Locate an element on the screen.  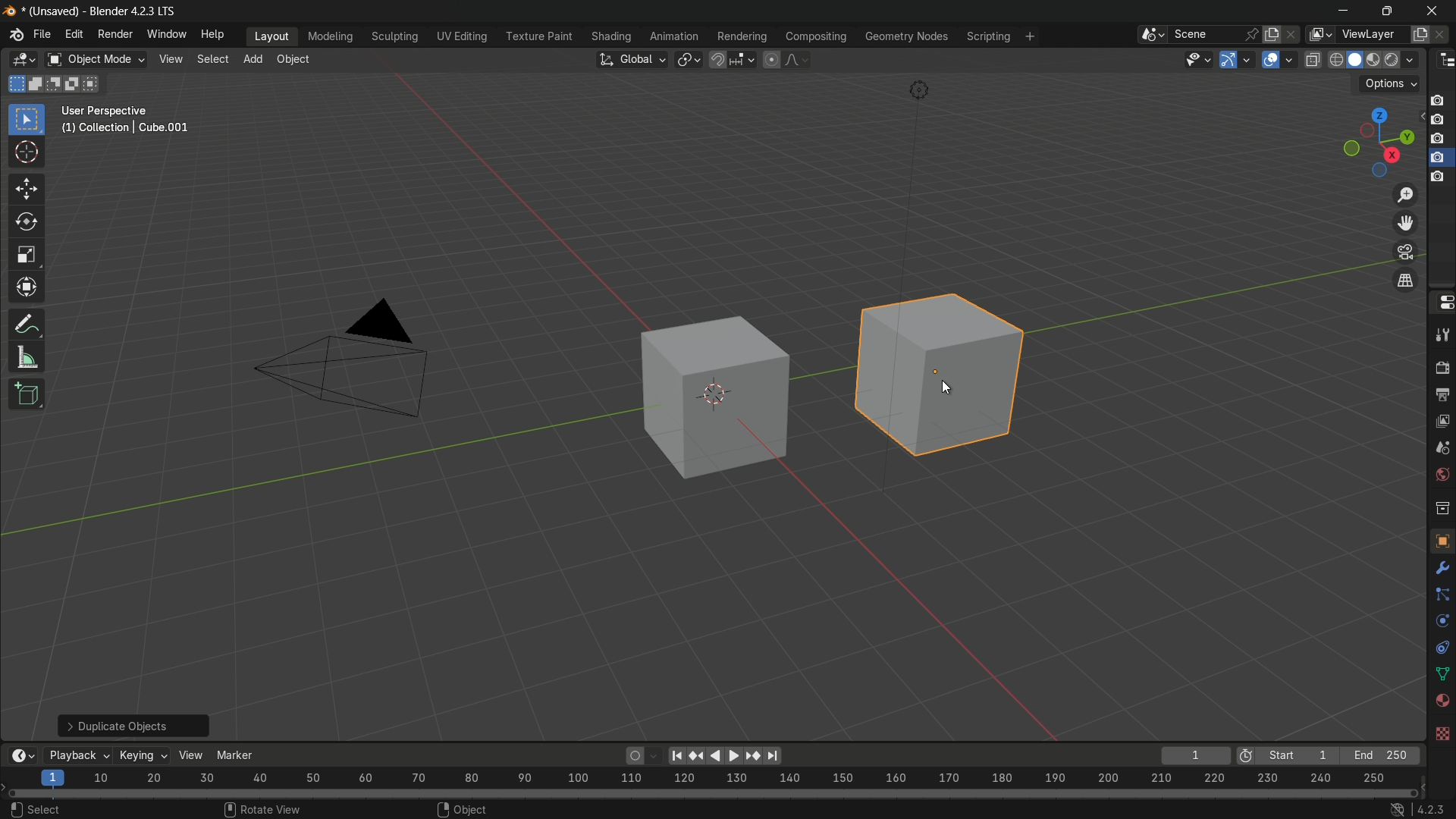
snap is located at coordinates (733, 60).